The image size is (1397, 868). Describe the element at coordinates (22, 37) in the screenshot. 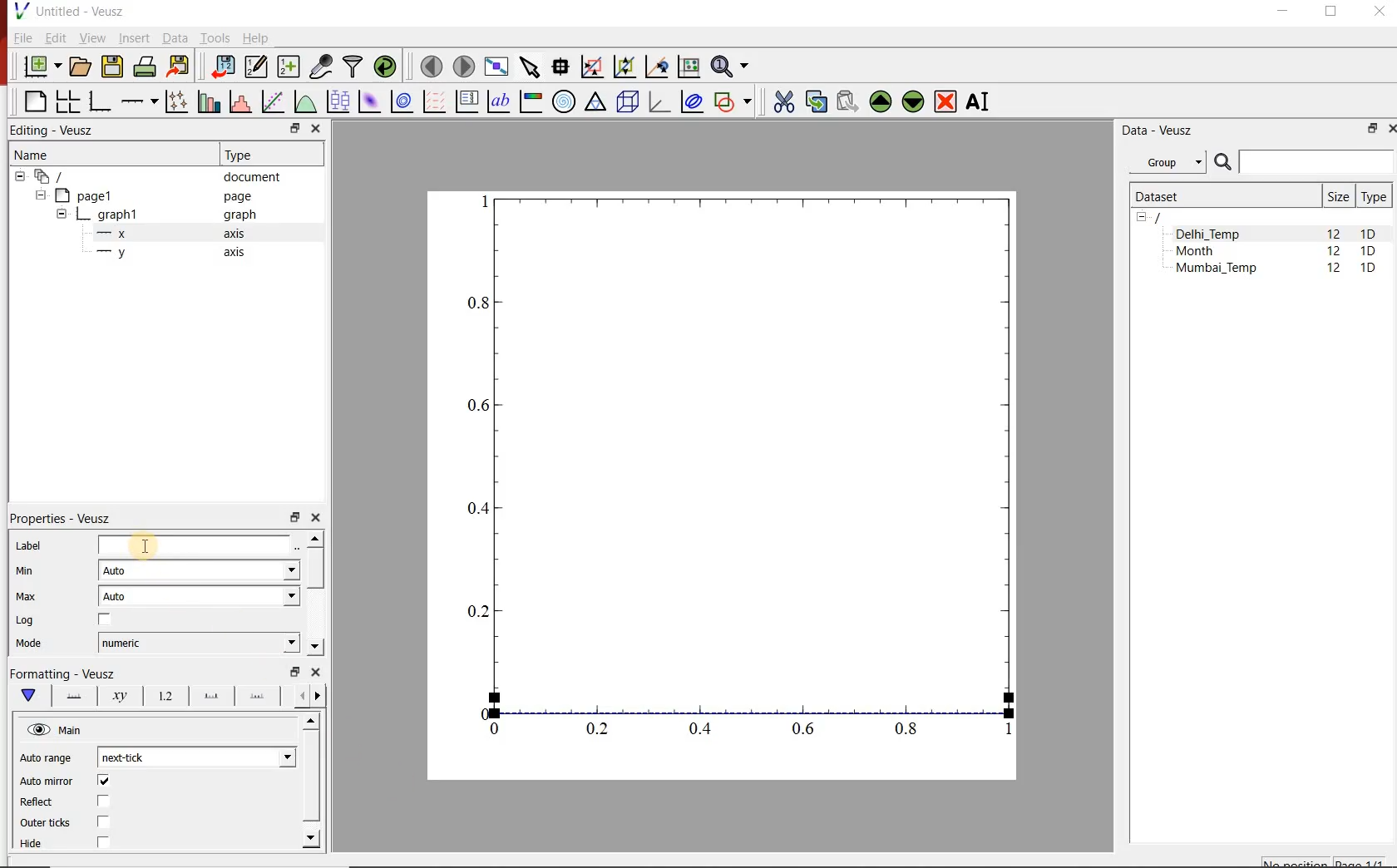

I see `File` at that location.